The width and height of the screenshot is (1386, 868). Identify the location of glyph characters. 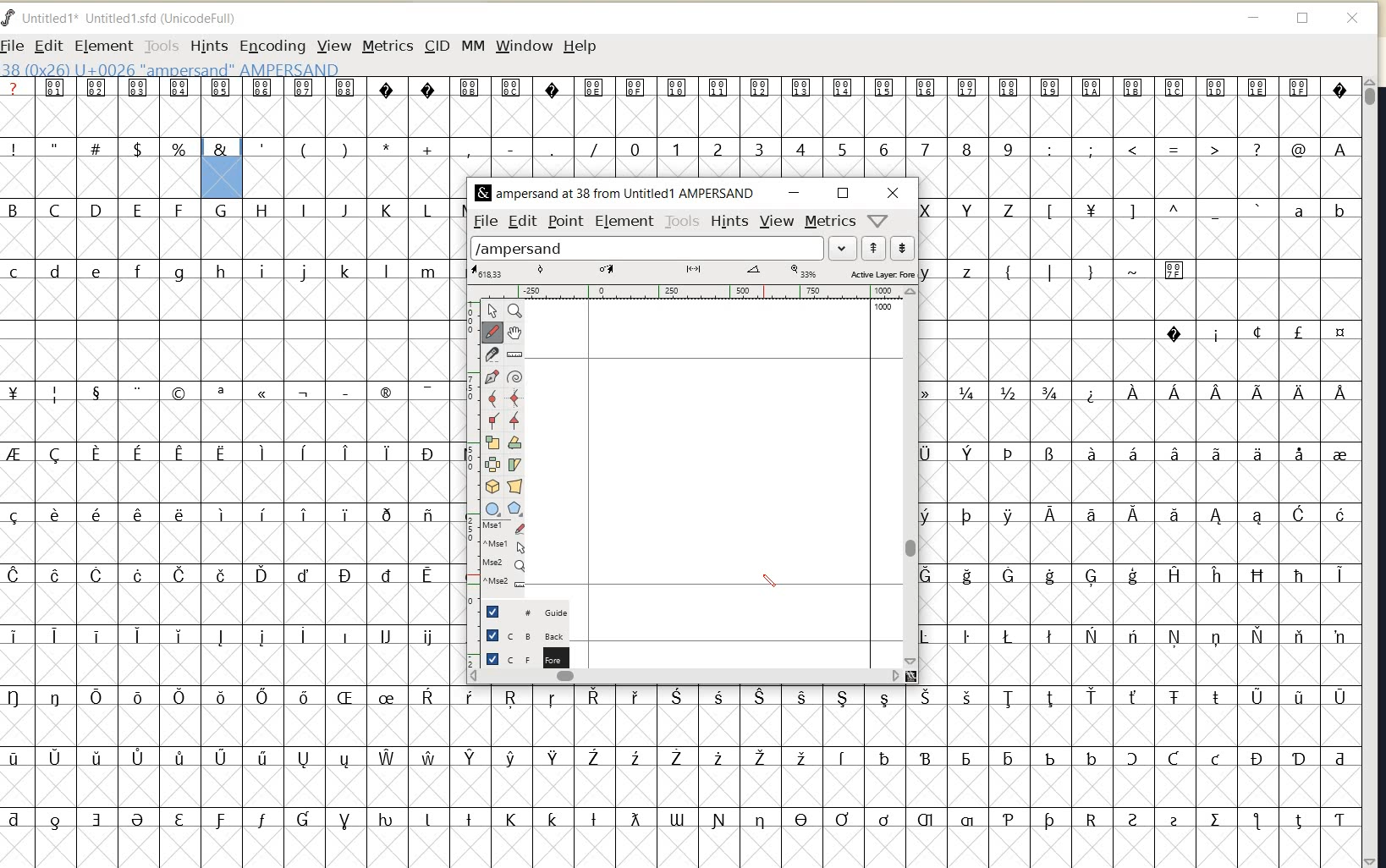
(98, 465).